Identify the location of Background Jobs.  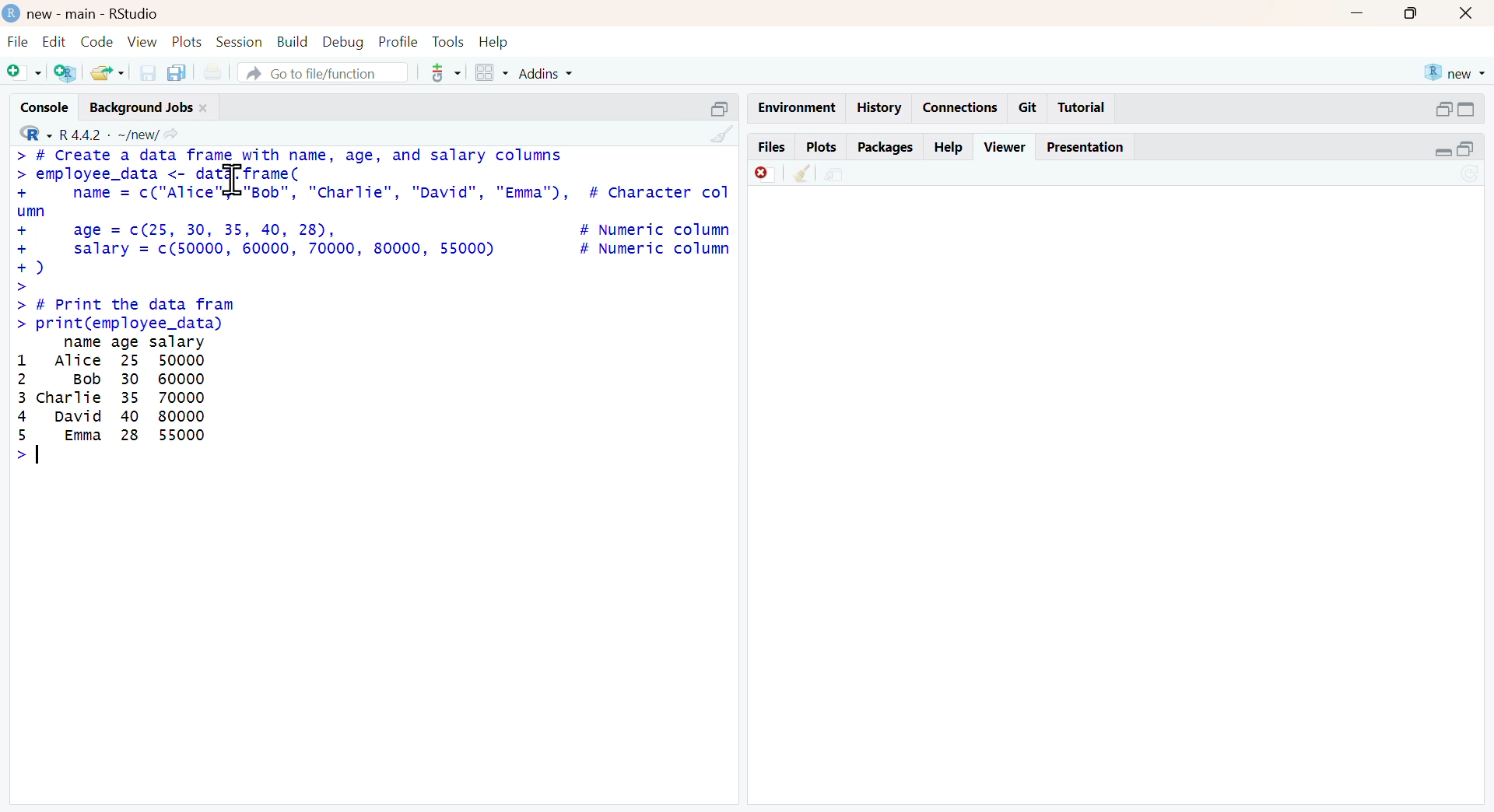
(151, 108).